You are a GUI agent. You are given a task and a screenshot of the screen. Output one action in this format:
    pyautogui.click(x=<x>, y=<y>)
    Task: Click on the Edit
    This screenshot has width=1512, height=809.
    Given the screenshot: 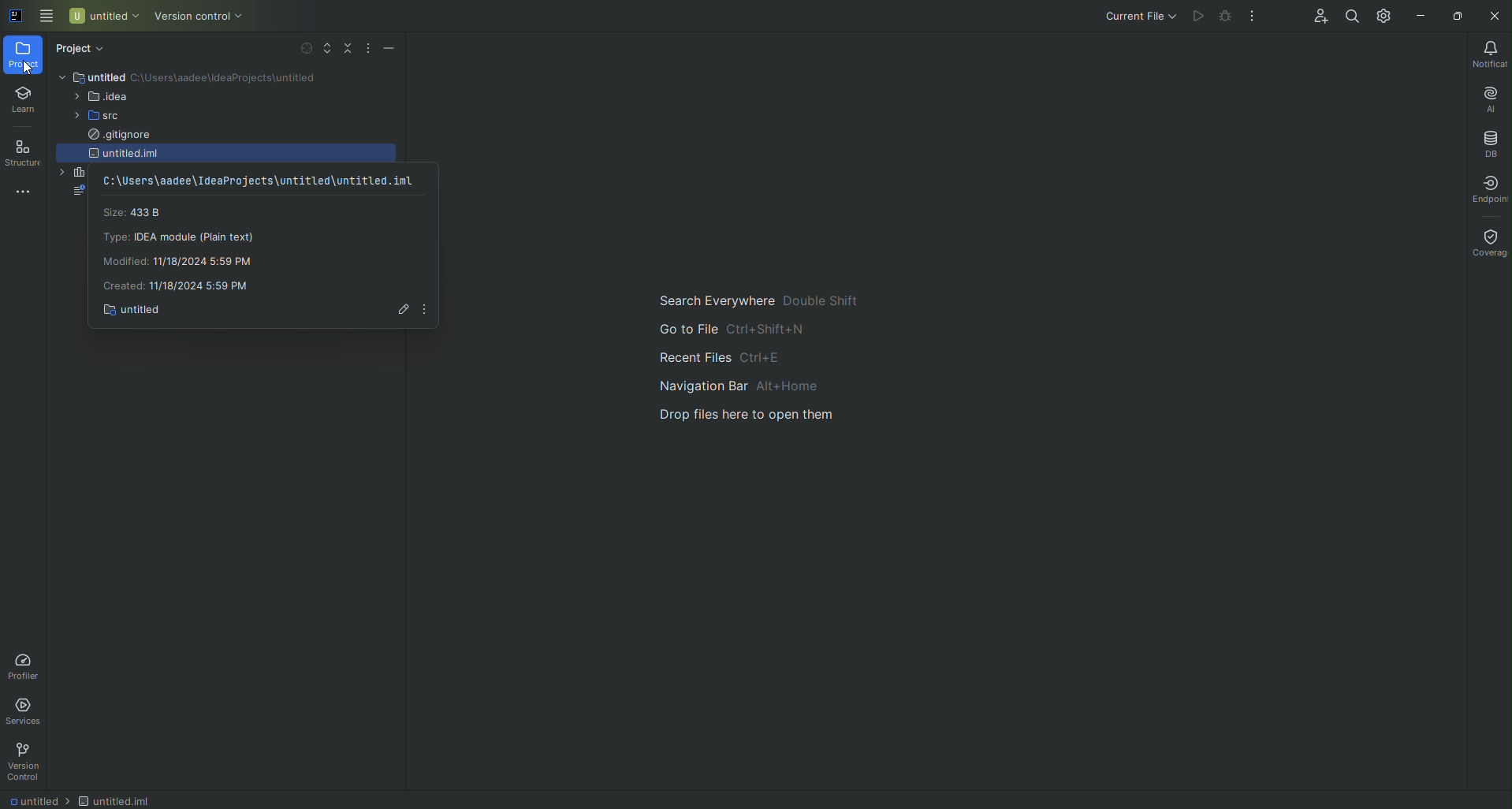 What is the action you would take?
    pyautogui.click(x=398, y=309)
    